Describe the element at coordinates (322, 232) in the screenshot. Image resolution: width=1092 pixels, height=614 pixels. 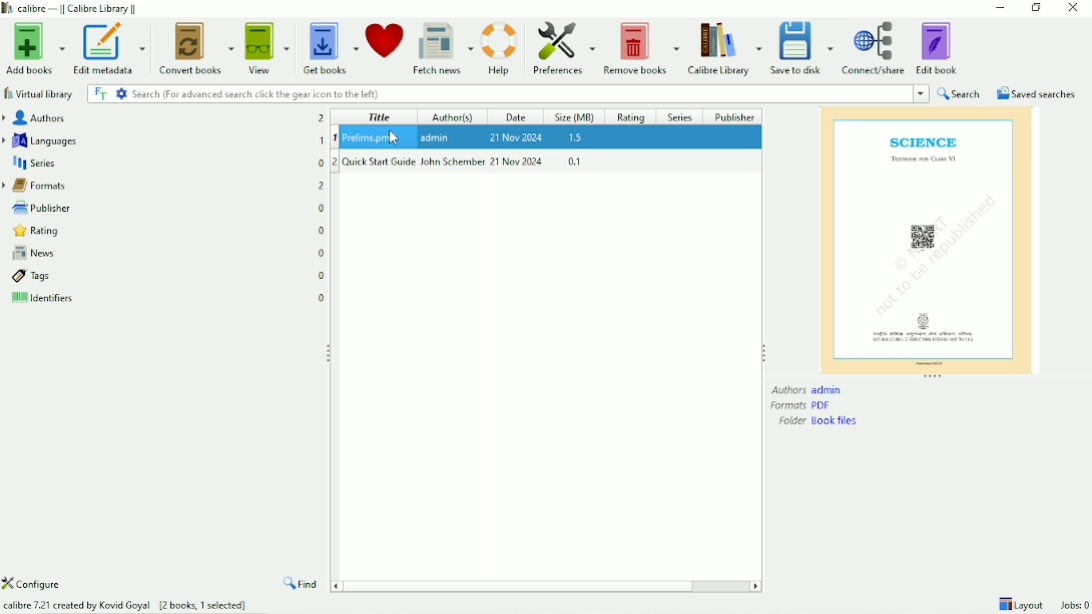
I see `0` at that location.